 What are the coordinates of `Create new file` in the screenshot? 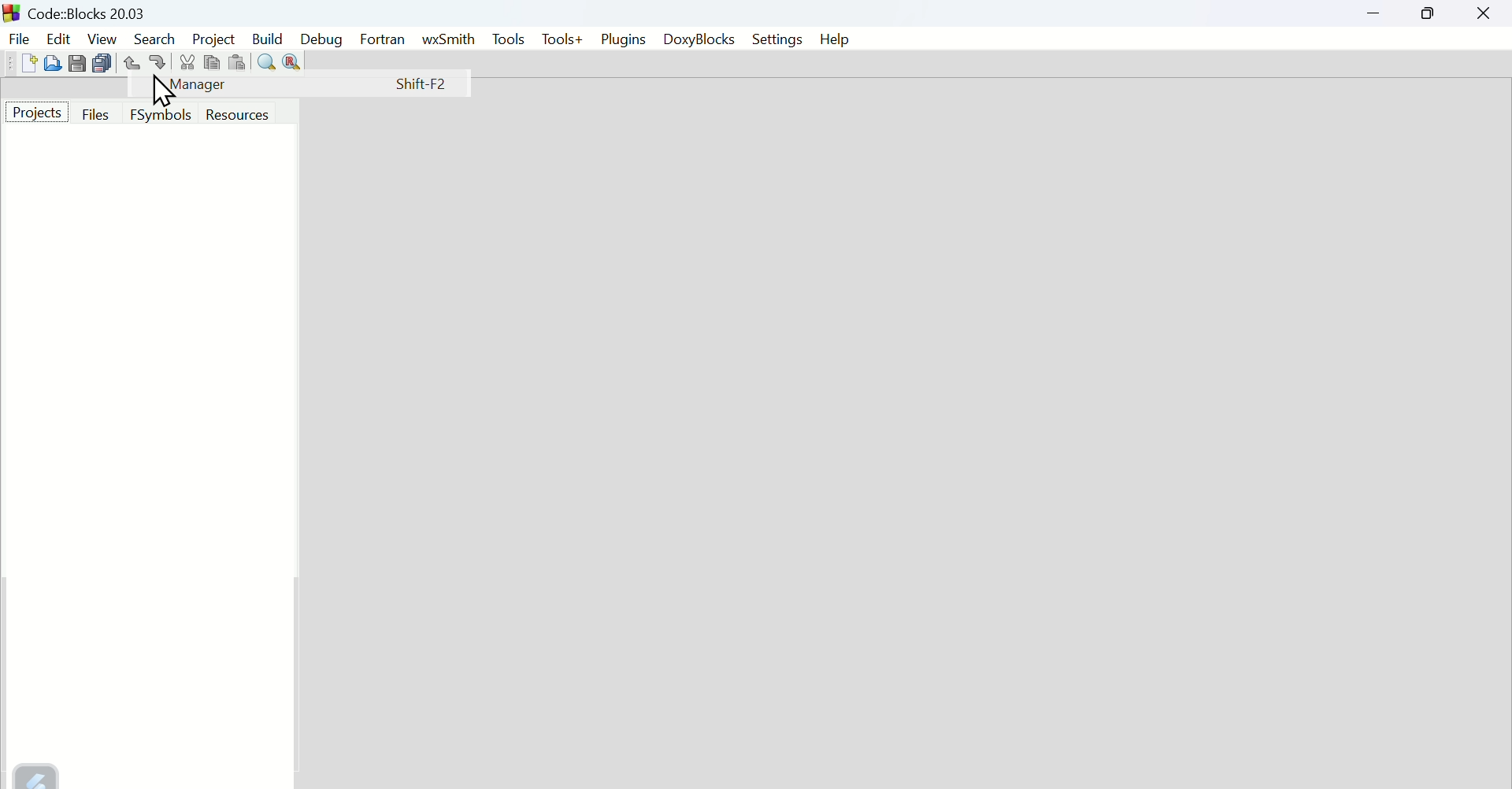 It's located at (29, 63).